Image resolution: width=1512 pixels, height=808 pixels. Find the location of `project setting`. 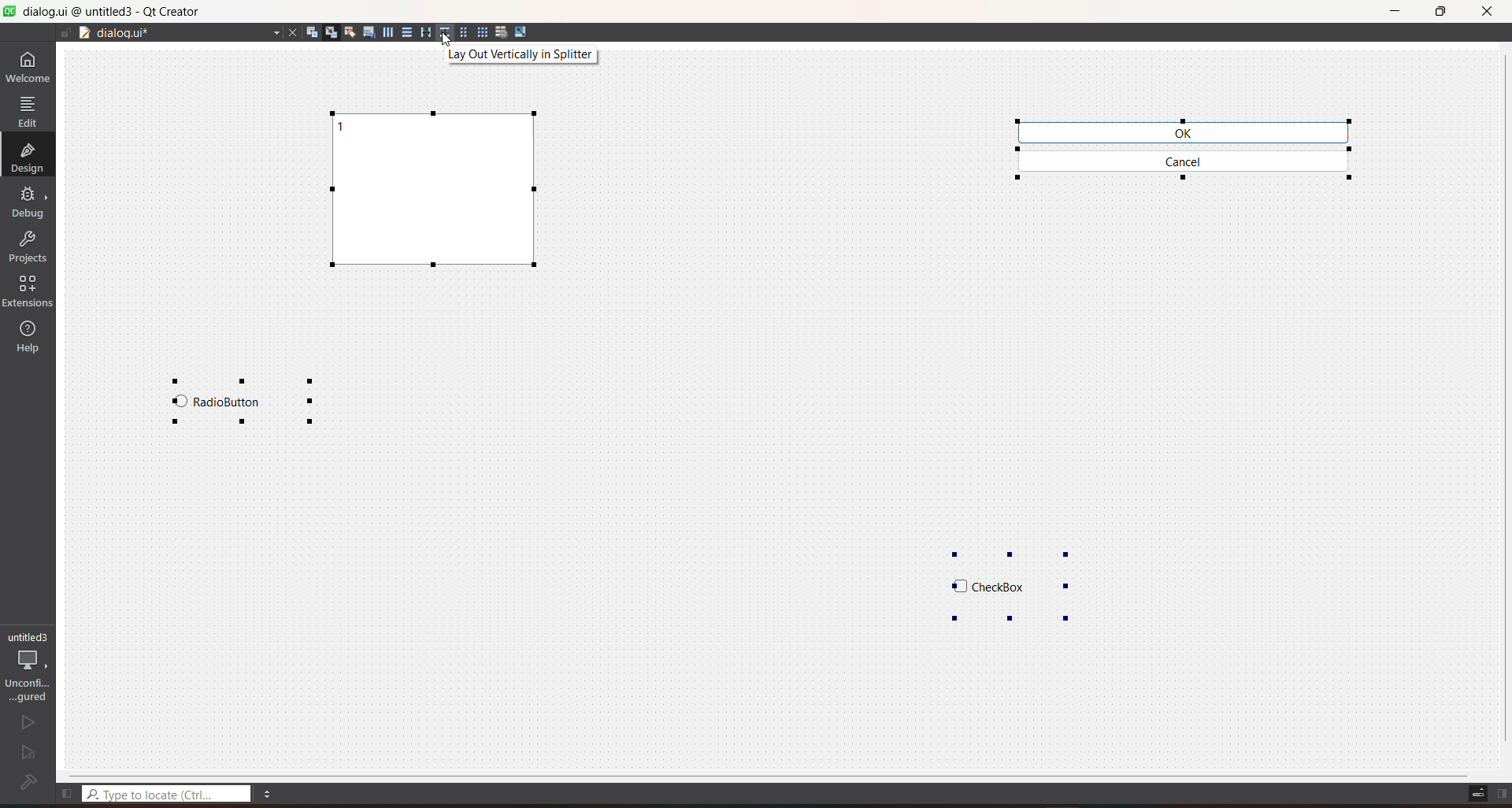

project setting is located at coordinates (30, 665).